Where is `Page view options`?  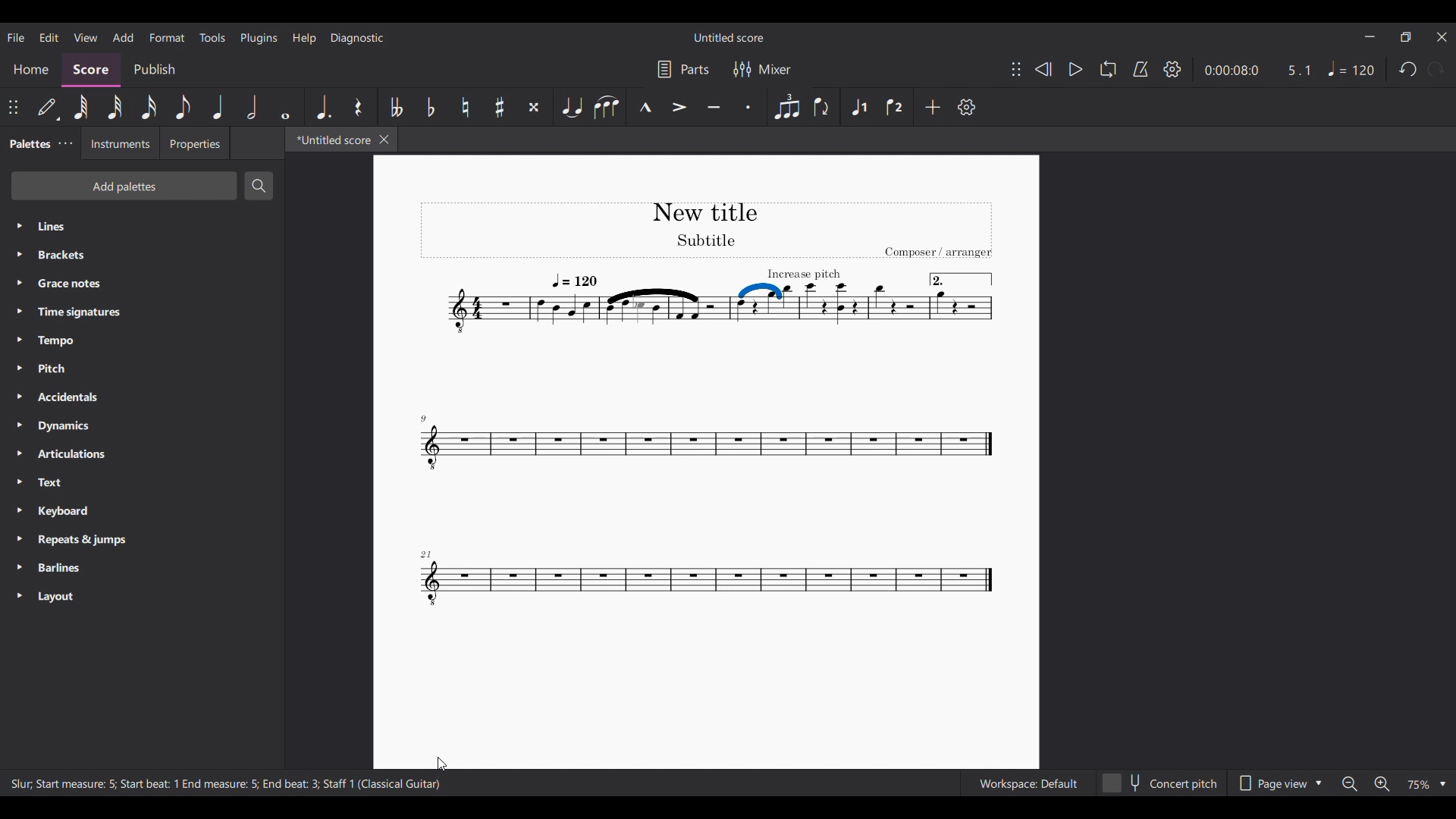 Page view options is located at coordinates (1279, 783).